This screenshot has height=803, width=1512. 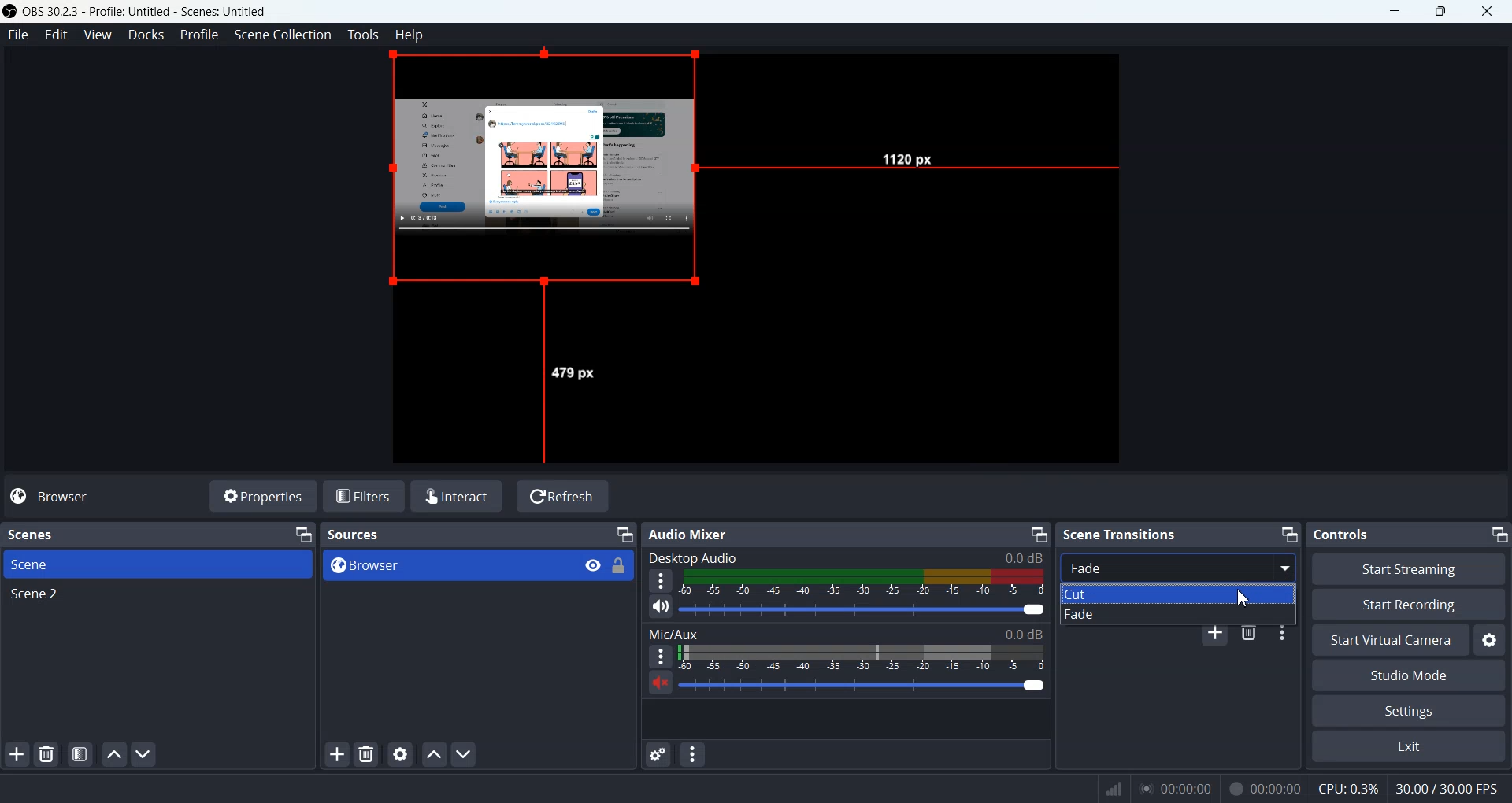 What do you see at coordinates (1447, 790) in the screenshot?
I see `` at bounding box center [1447, 790].